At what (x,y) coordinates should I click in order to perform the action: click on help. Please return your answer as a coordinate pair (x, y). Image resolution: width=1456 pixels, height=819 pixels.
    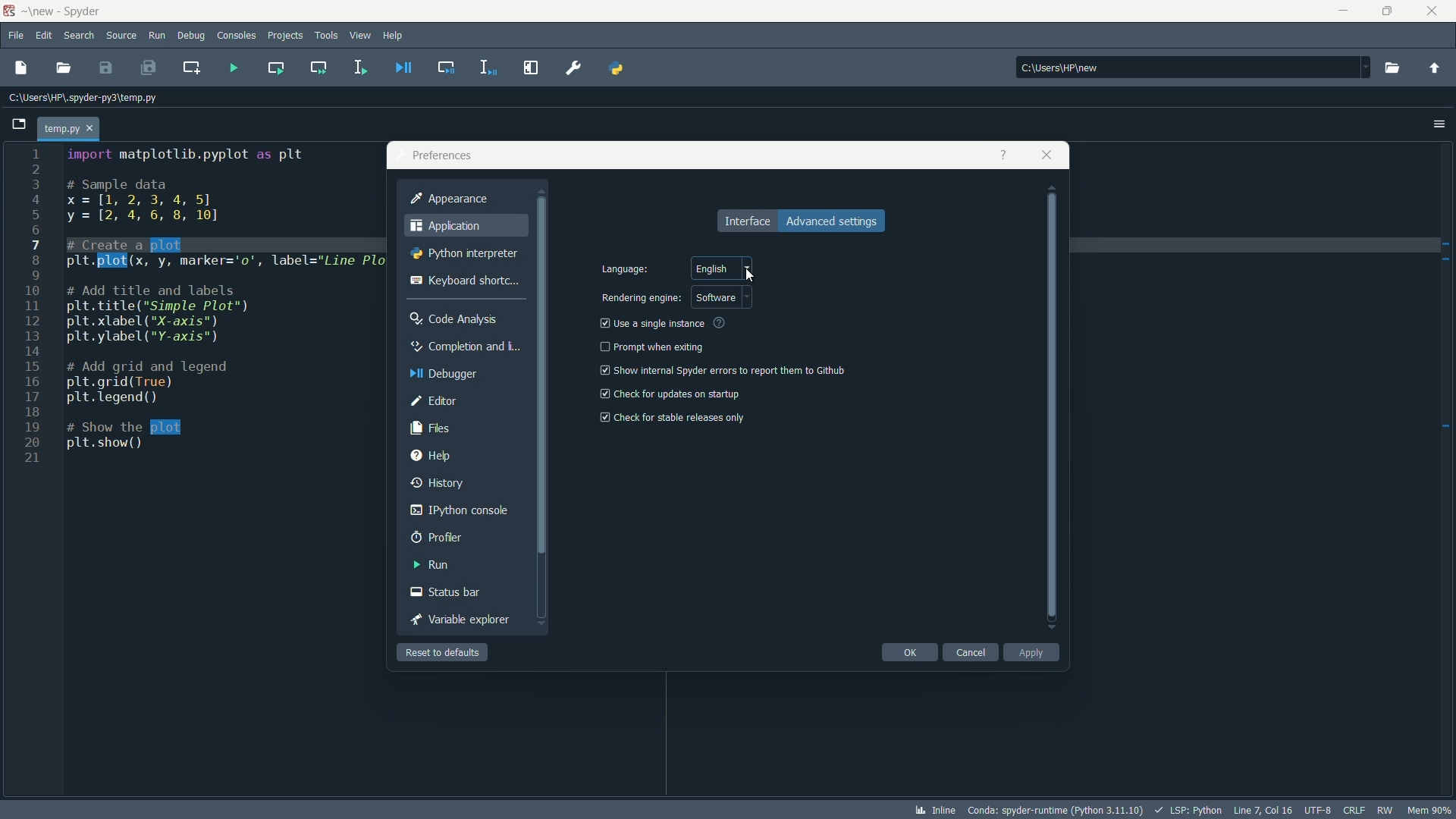
    Looking at the image, I should click on (431, 456).